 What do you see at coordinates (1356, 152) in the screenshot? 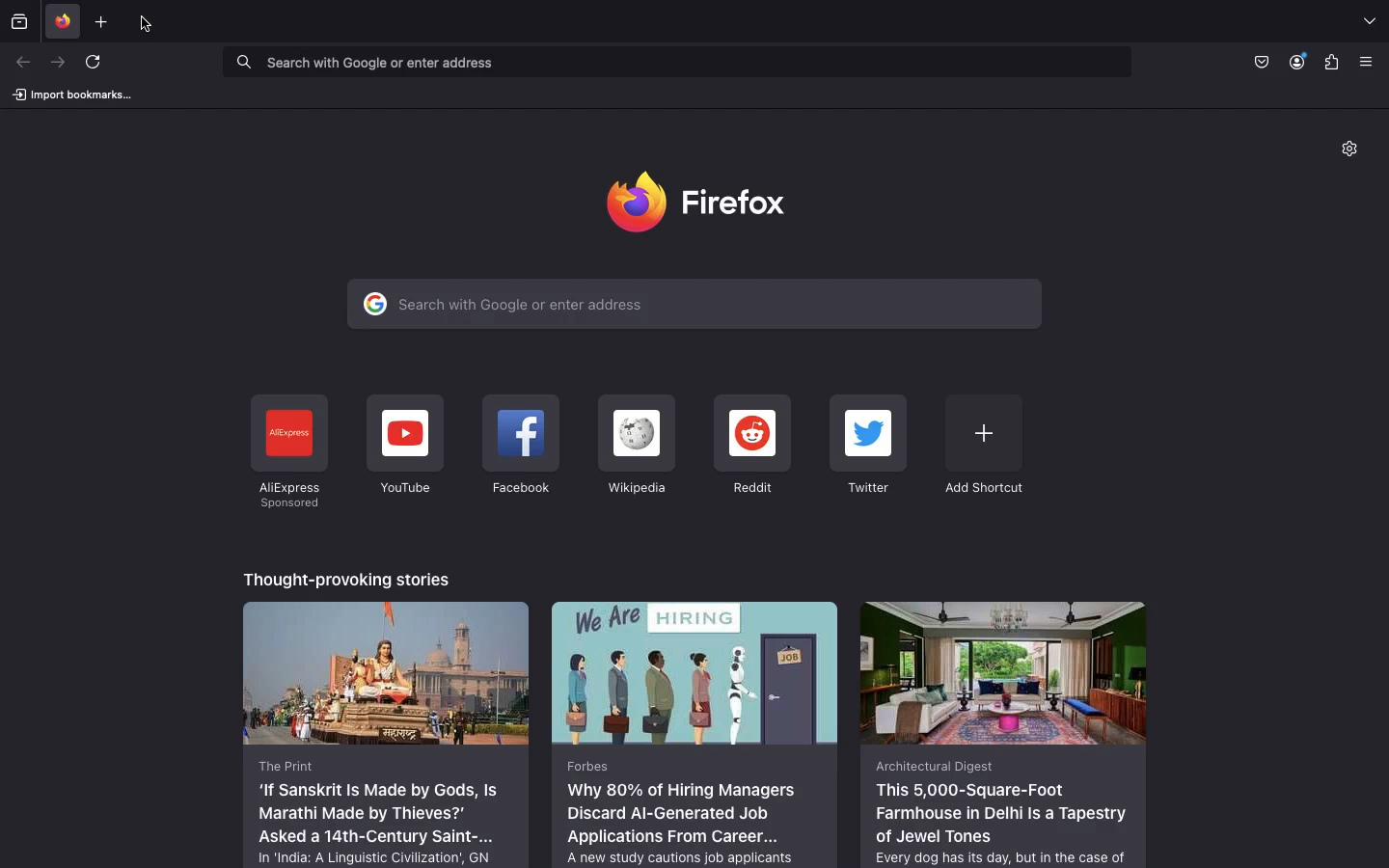
I see `Personalize New Tab` at bounding box center [1356, 152].